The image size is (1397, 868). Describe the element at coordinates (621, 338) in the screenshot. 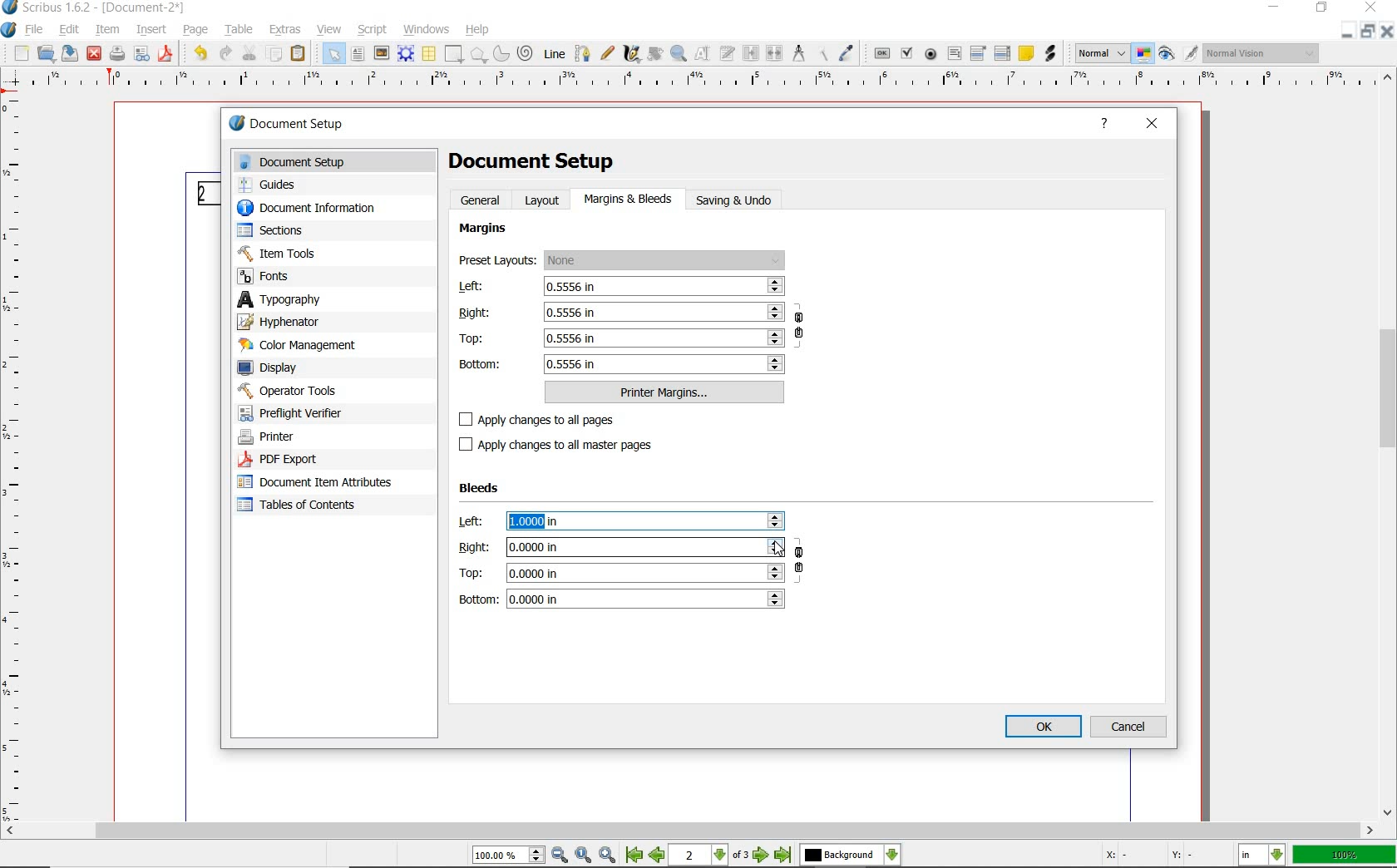

I see `Top` at that location.